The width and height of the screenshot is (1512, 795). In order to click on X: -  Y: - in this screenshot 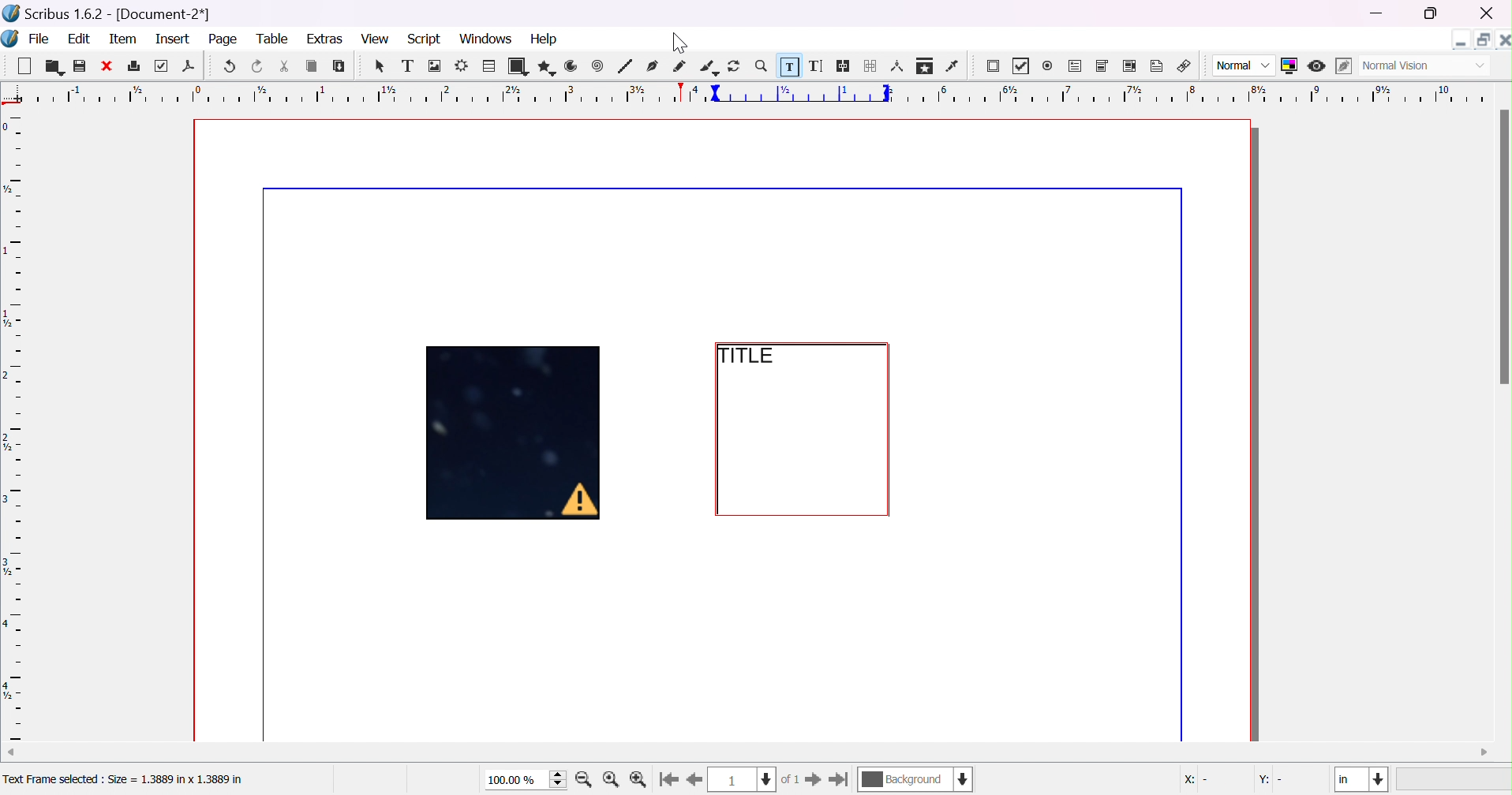, I will do `click(1248, 780)`.